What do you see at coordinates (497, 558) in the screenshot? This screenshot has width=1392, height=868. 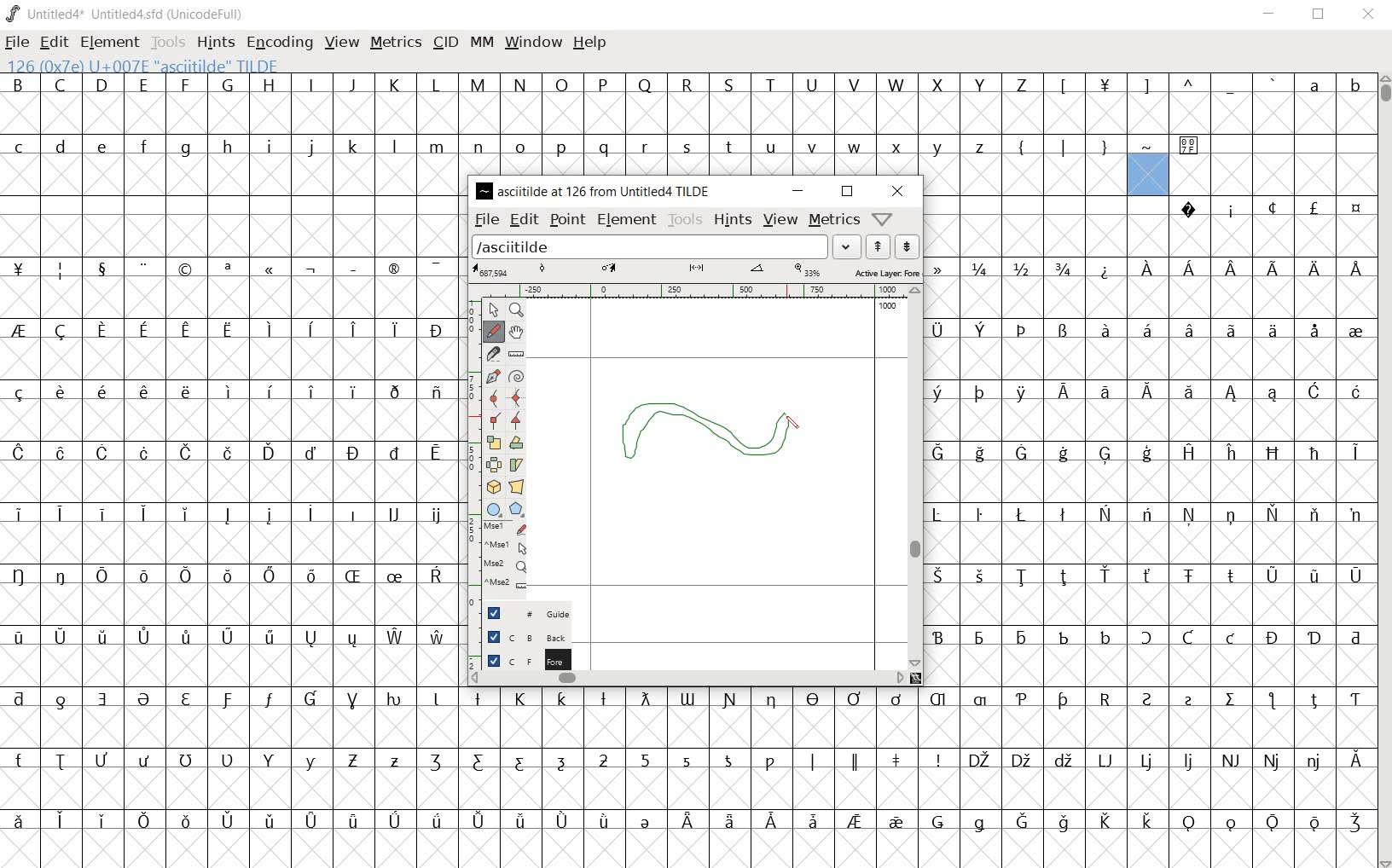 I see `mse1 mse1 mse2 mse2` at bounding box center [497, 558].